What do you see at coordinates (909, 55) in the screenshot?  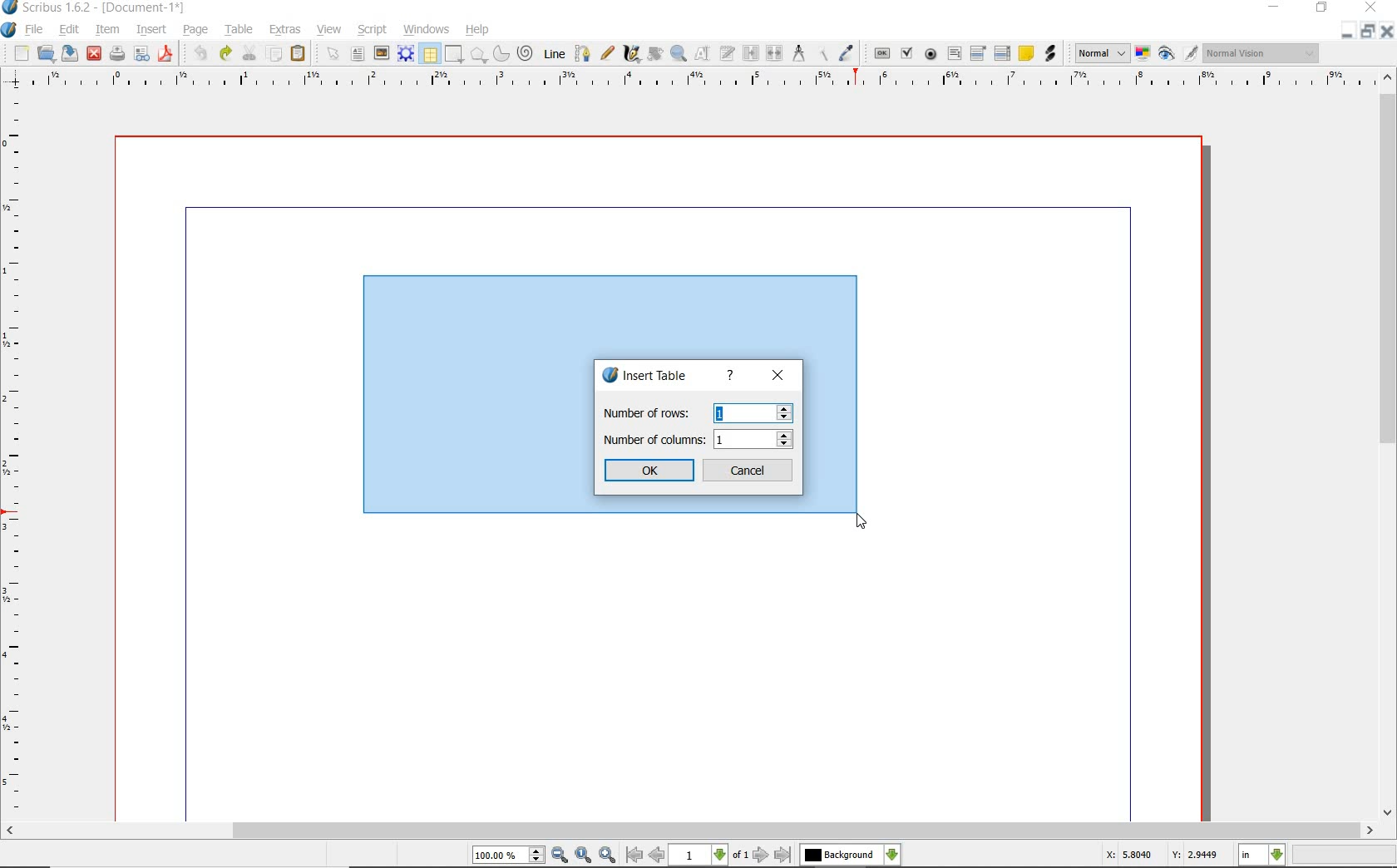 I see `pdf check box` at bounding box center [909, 55].